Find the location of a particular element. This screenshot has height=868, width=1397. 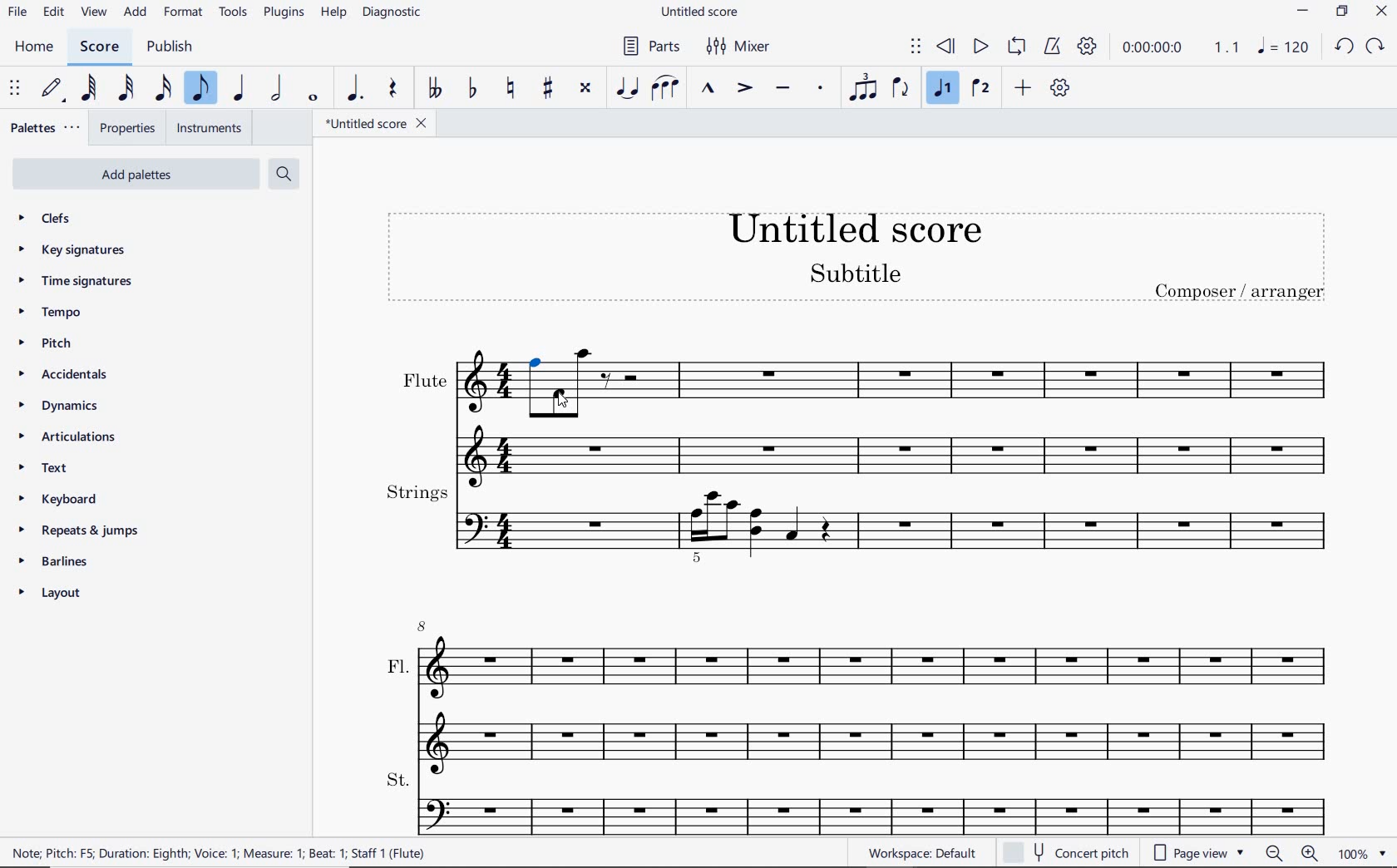

edit is located at coordinates (53, 12).